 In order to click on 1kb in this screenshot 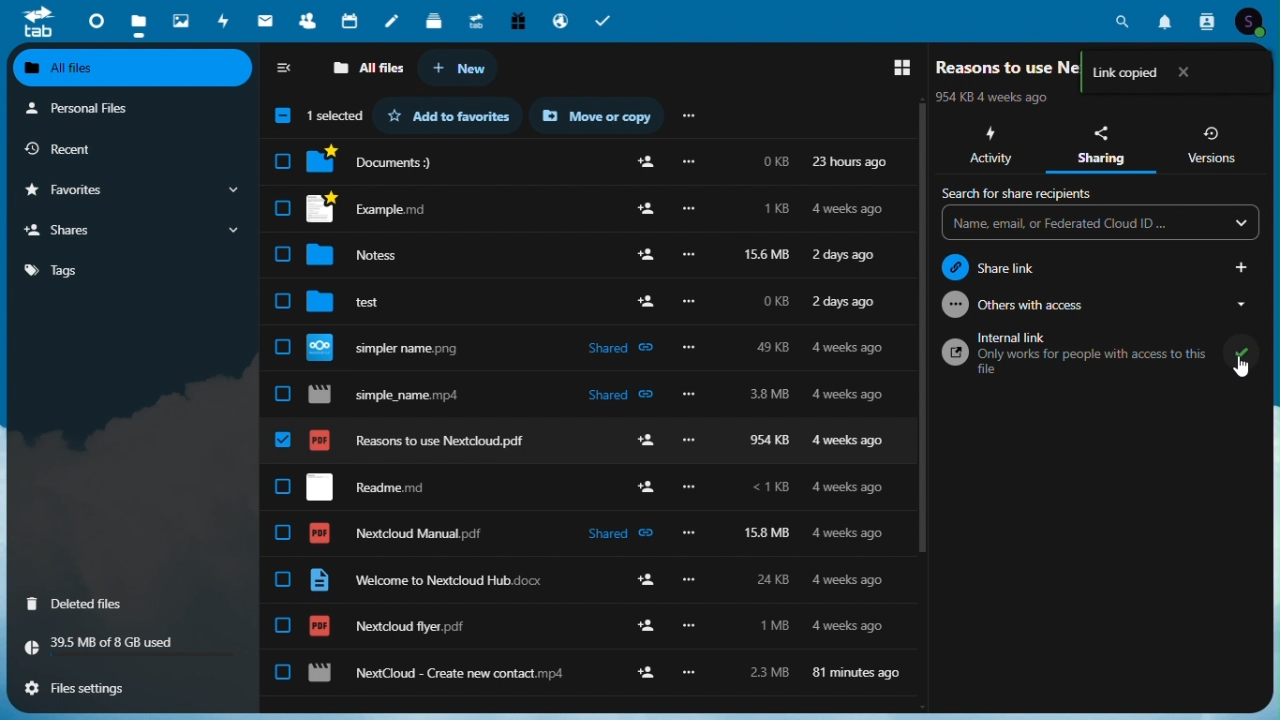, I will do `click(780, 208)`.